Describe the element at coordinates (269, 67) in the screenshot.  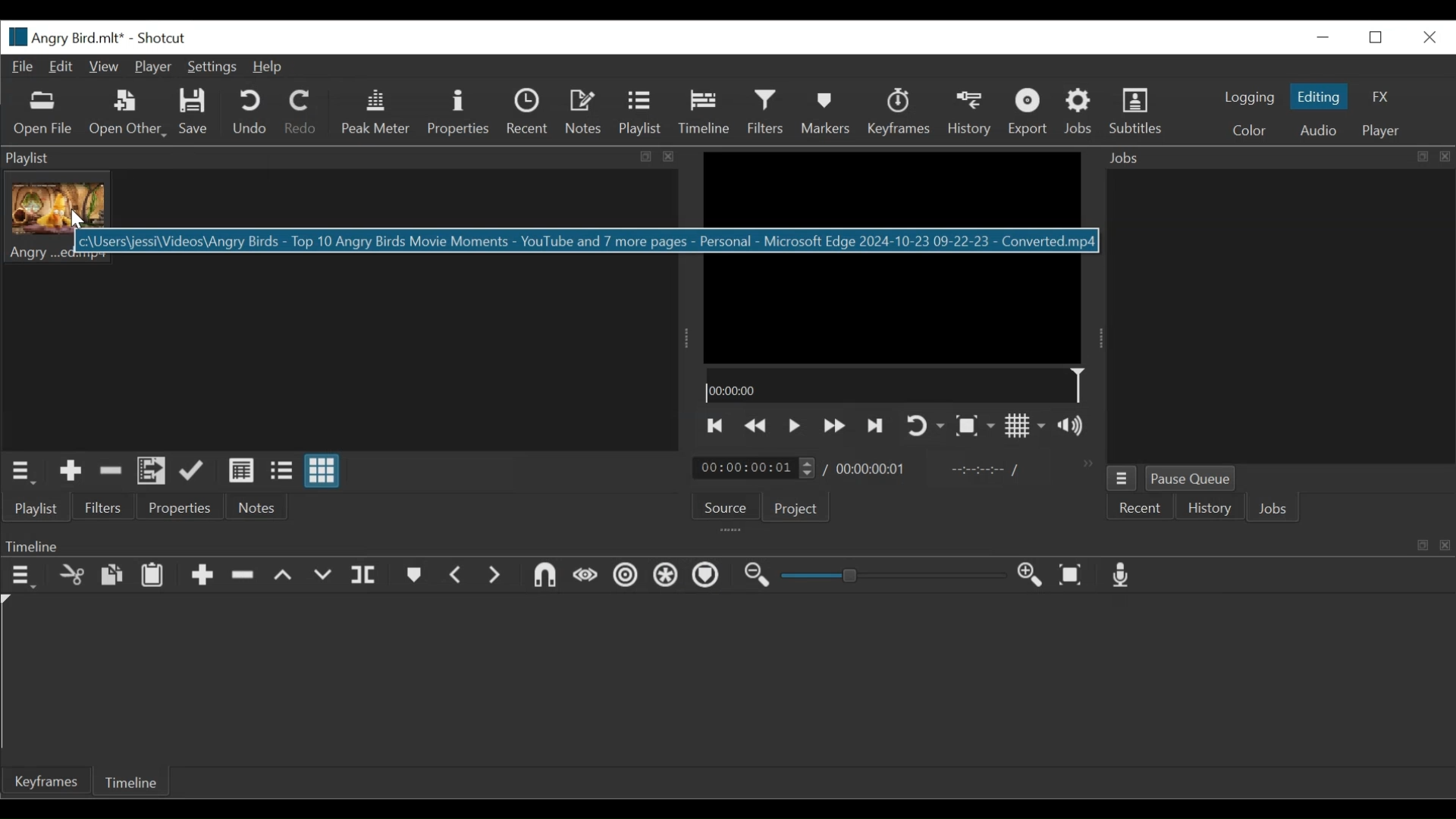
I see `Help` at that location.